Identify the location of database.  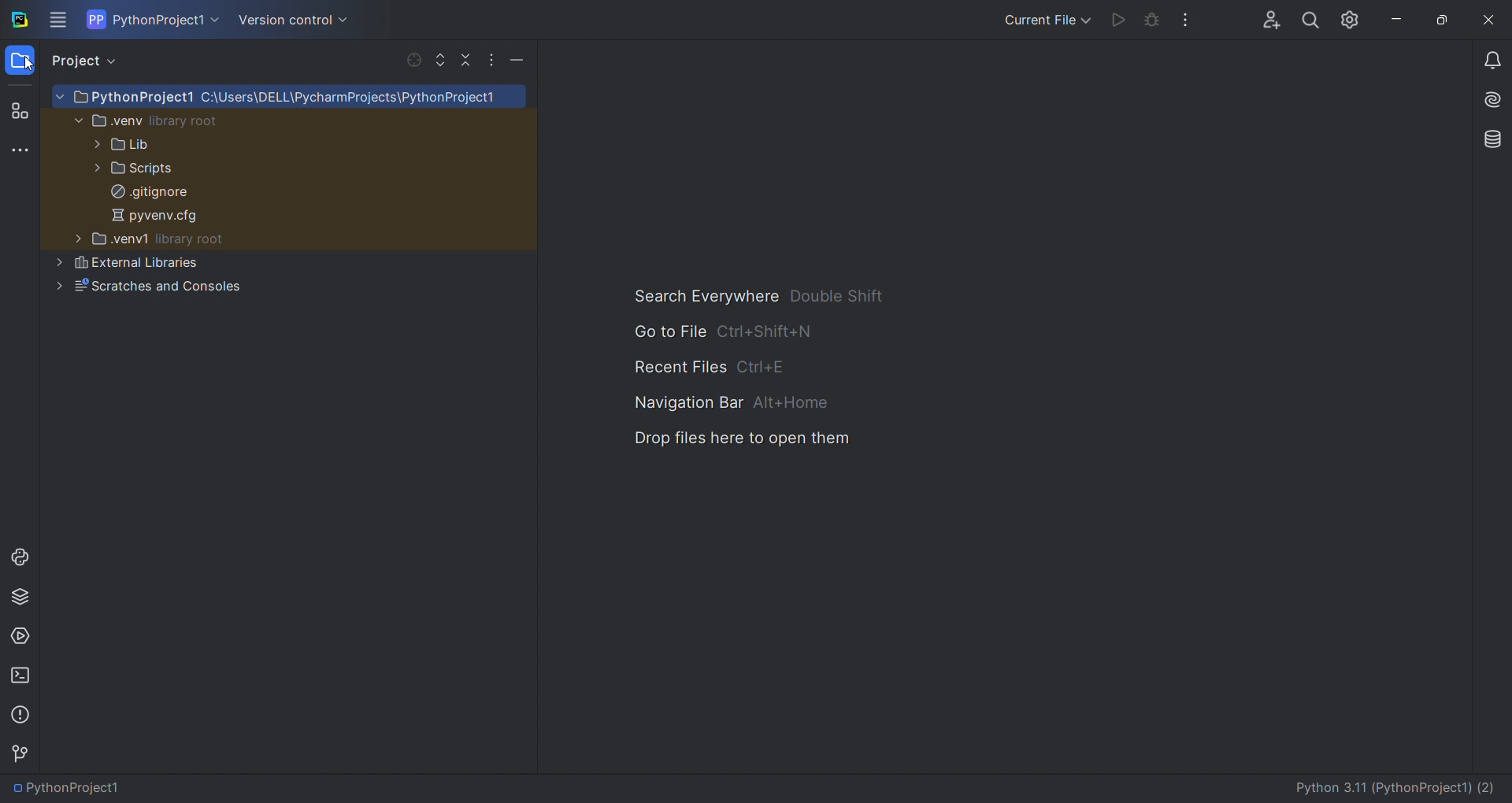
(1484, 138).